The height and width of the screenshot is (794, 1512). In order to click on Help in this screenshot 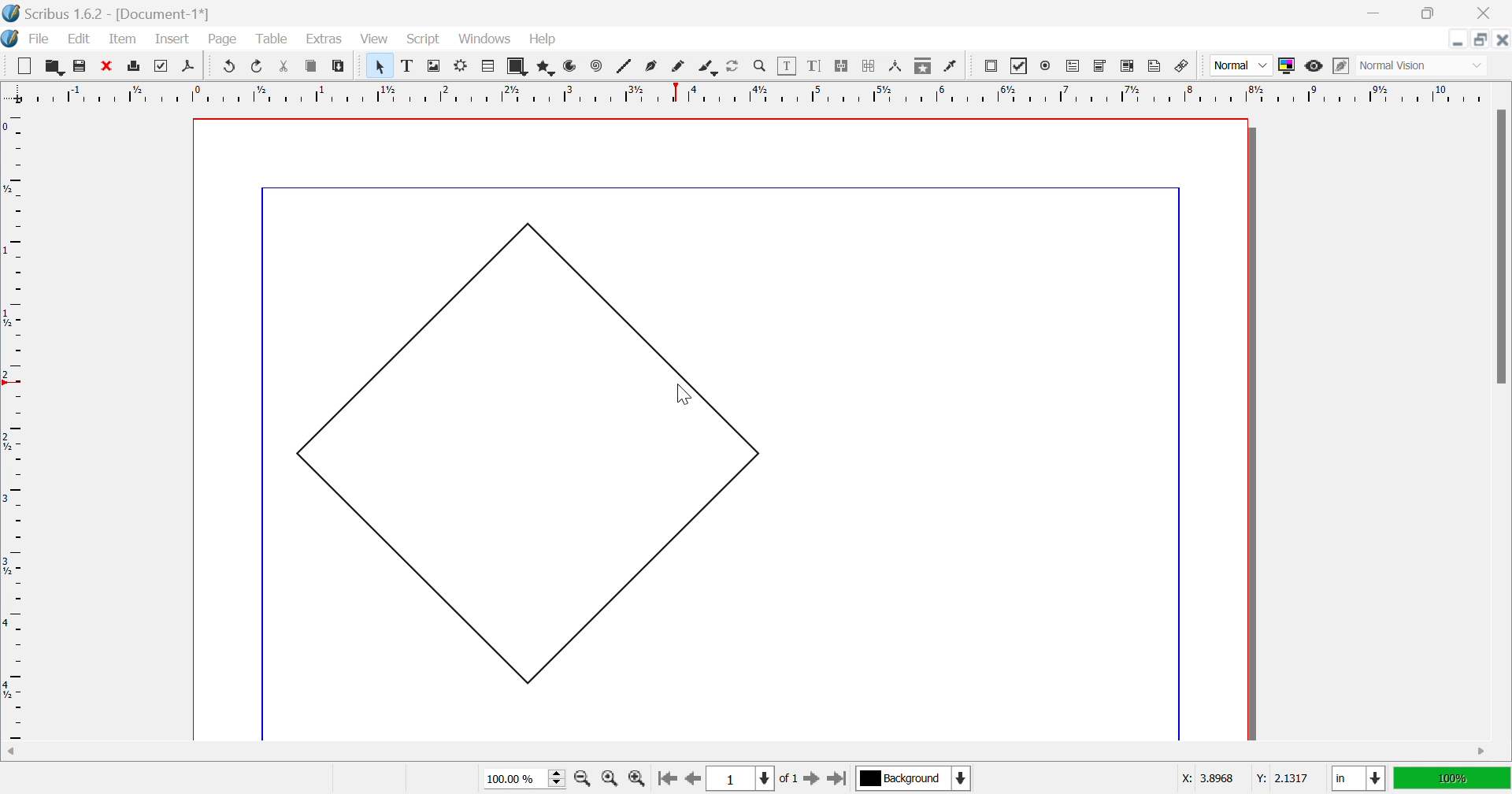, I will do `click(543, 39)`.